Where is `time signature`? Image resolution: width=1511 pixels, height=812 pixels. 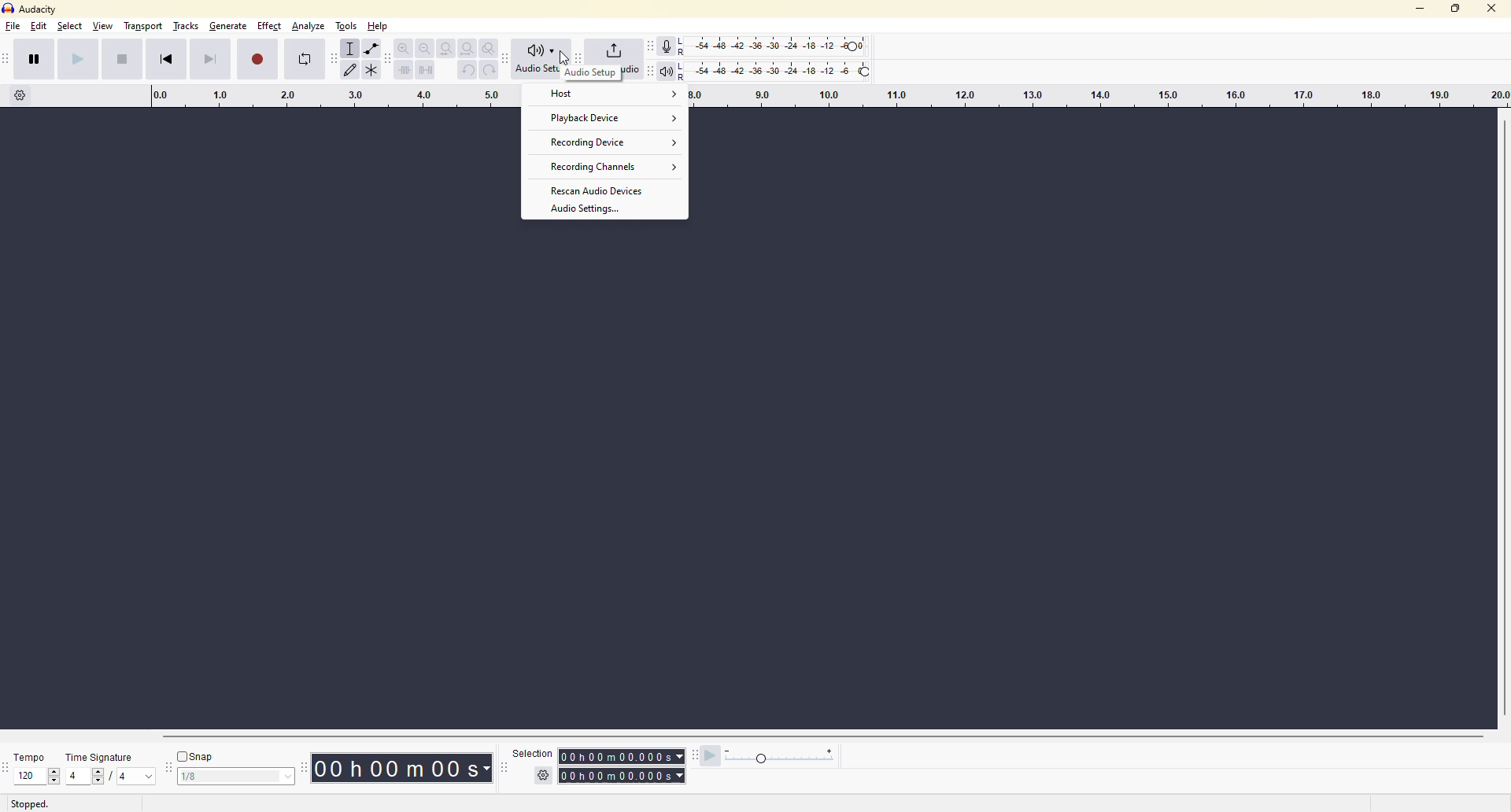
time signature is located at coordinates (98, 755).